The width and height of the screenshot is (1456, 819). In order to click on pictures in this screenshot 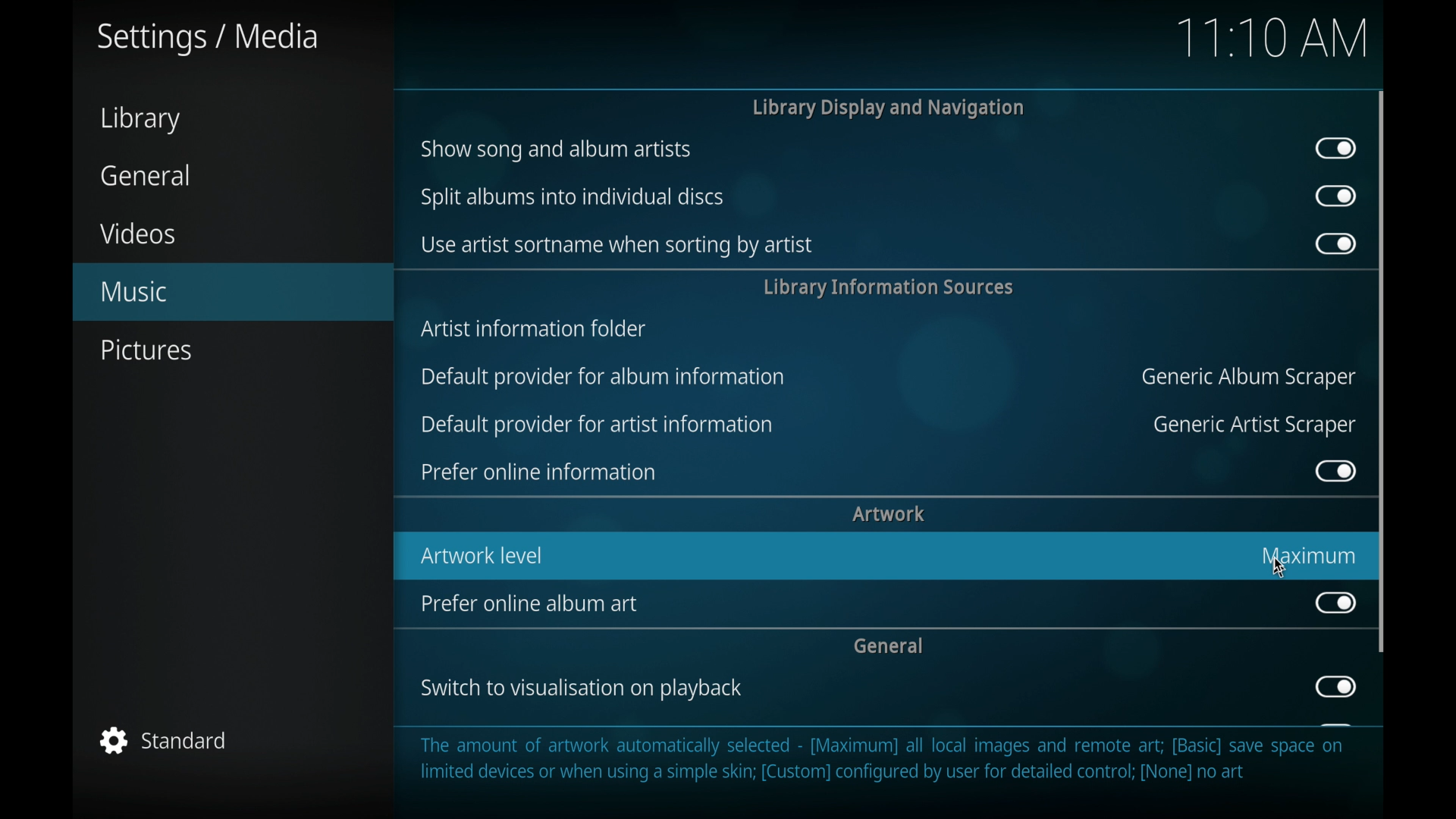, I will do `click(146, 350)`.